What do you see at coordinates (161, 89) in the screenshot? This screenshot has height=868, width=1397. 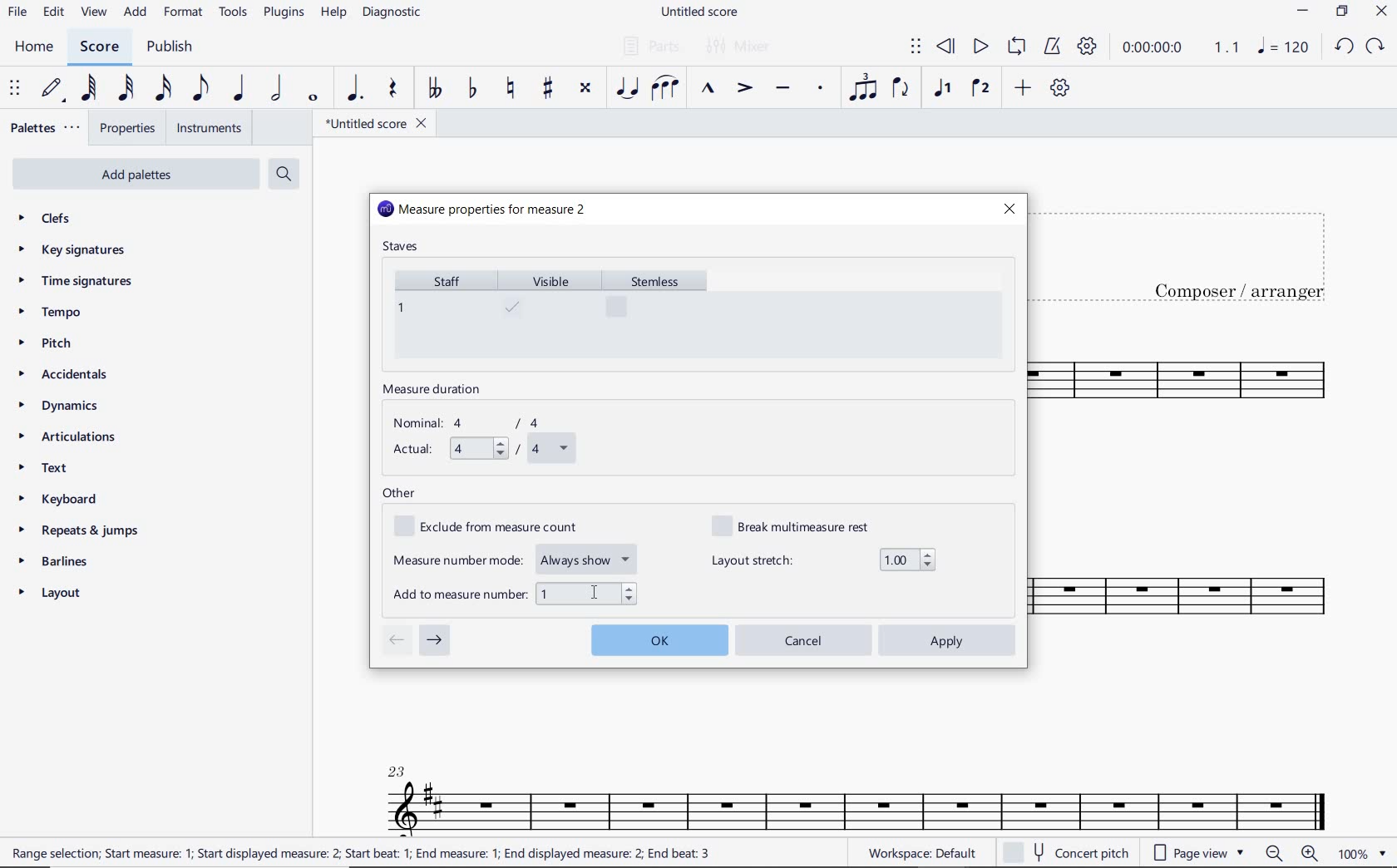 I see `16TH NOTE` at bounding box center [161, 89].